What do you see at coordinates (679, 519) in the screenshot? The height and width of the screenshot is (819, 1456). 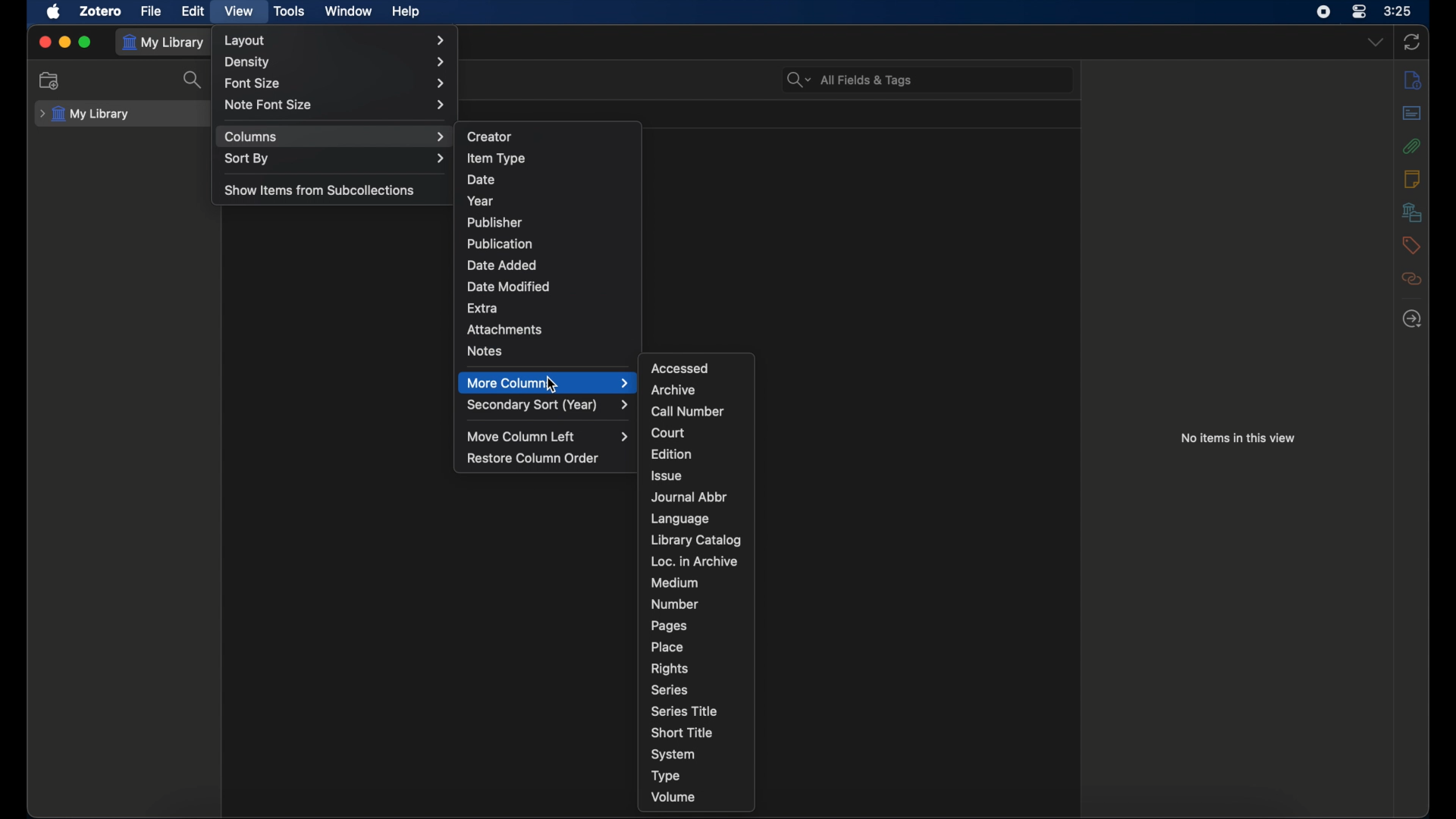 I see `language` at bounding box center [679, 519].